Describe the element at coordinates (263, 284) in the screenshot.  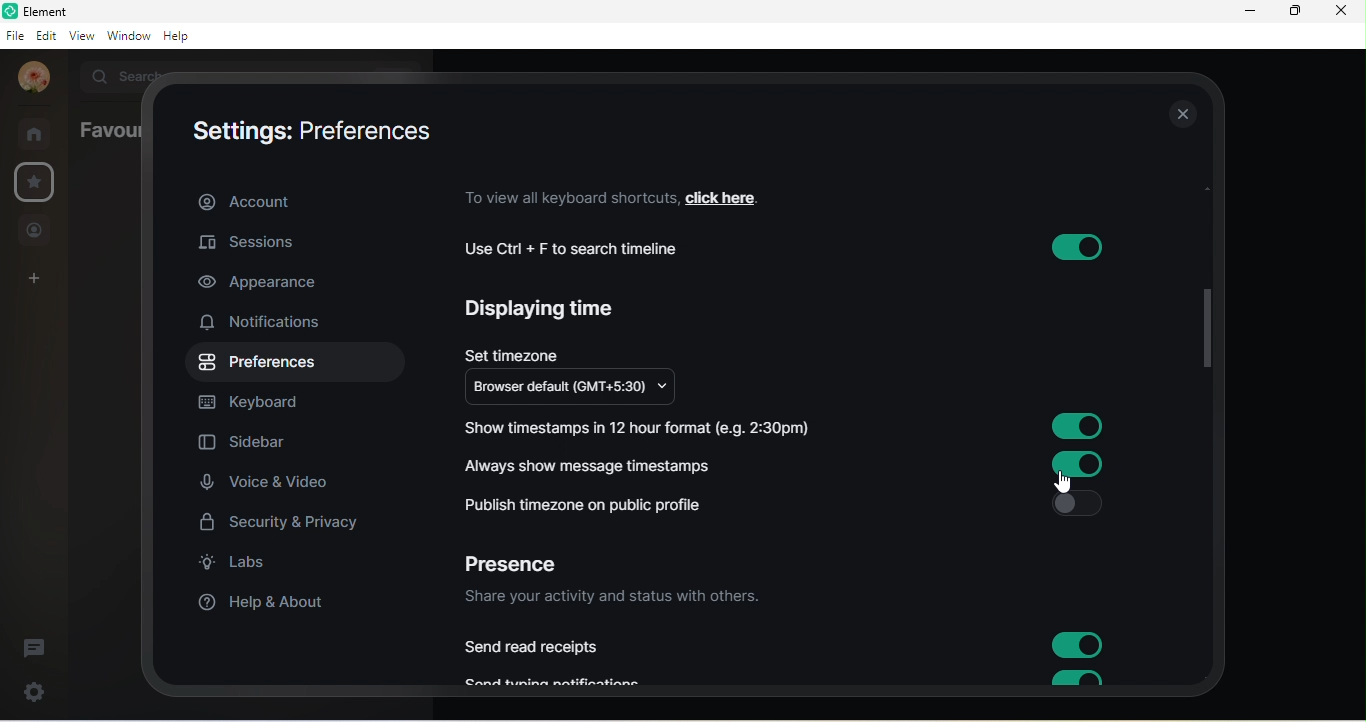
I see `appearance` at that location.